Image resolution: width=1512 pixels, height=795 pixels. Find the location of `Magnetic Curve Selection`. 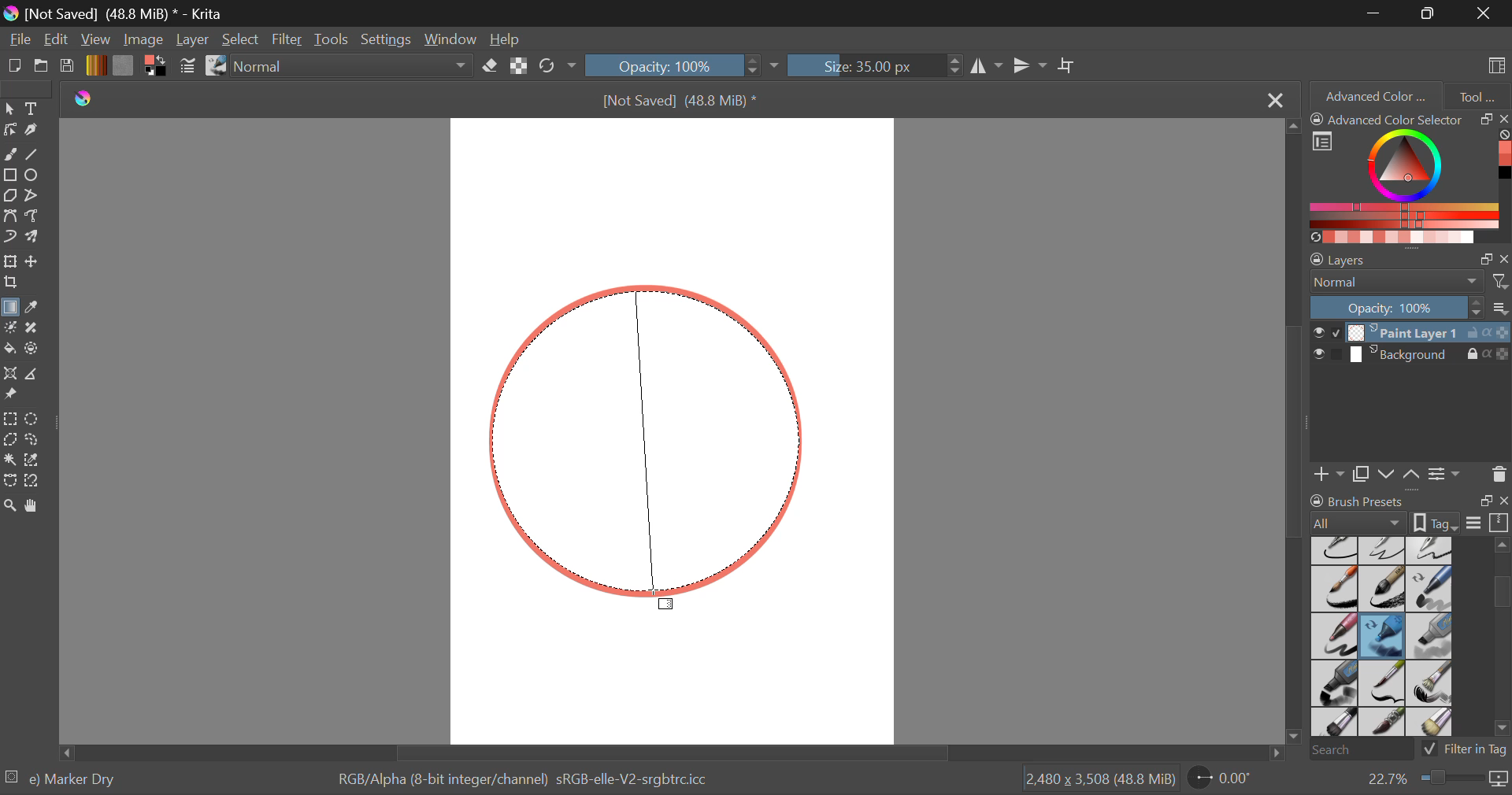

Magnetic Curve Selection is located at coordinates (38, 481).